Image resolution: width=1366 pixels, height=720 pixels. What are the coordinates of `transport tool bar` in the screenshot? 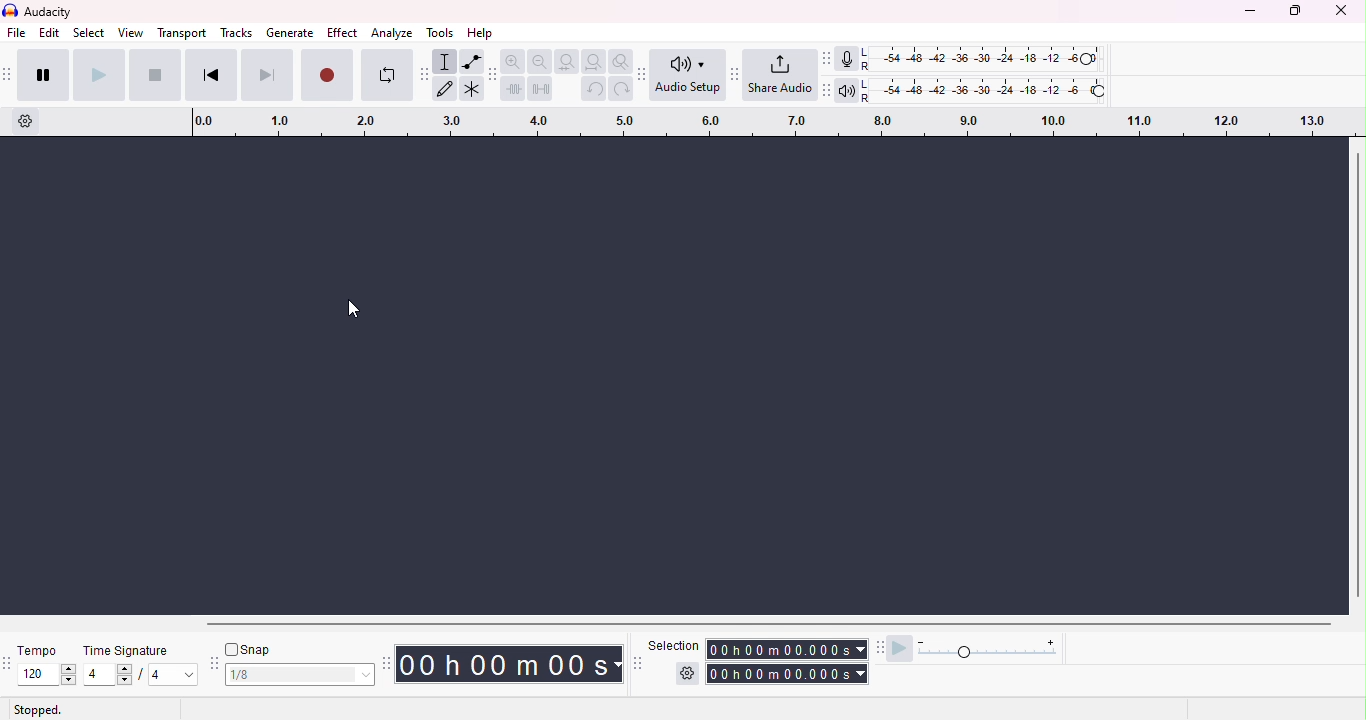 It's located at (9, 74).